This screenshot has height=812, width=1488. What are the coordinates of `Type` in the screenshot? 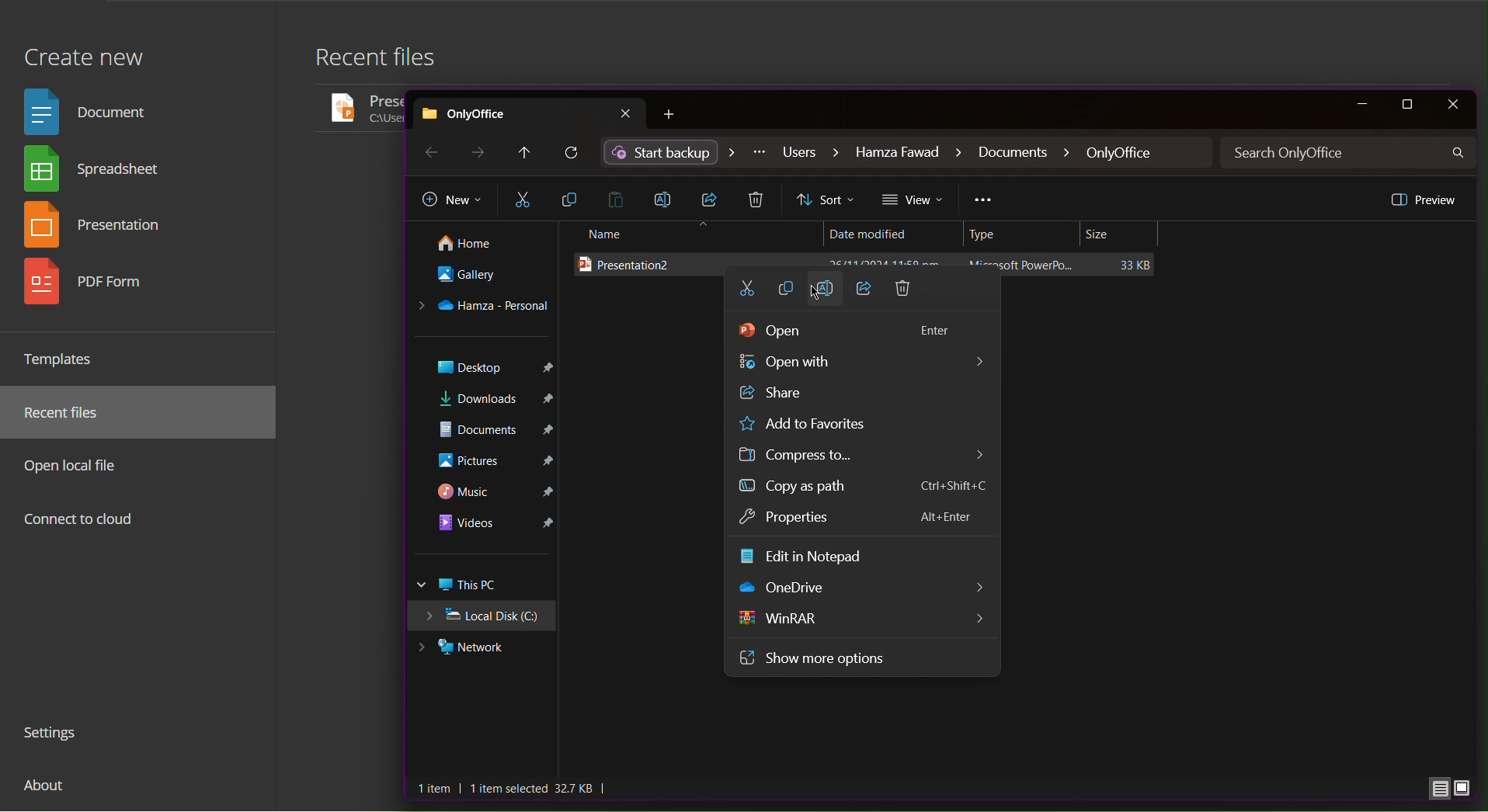 It's located at (1024, 234).